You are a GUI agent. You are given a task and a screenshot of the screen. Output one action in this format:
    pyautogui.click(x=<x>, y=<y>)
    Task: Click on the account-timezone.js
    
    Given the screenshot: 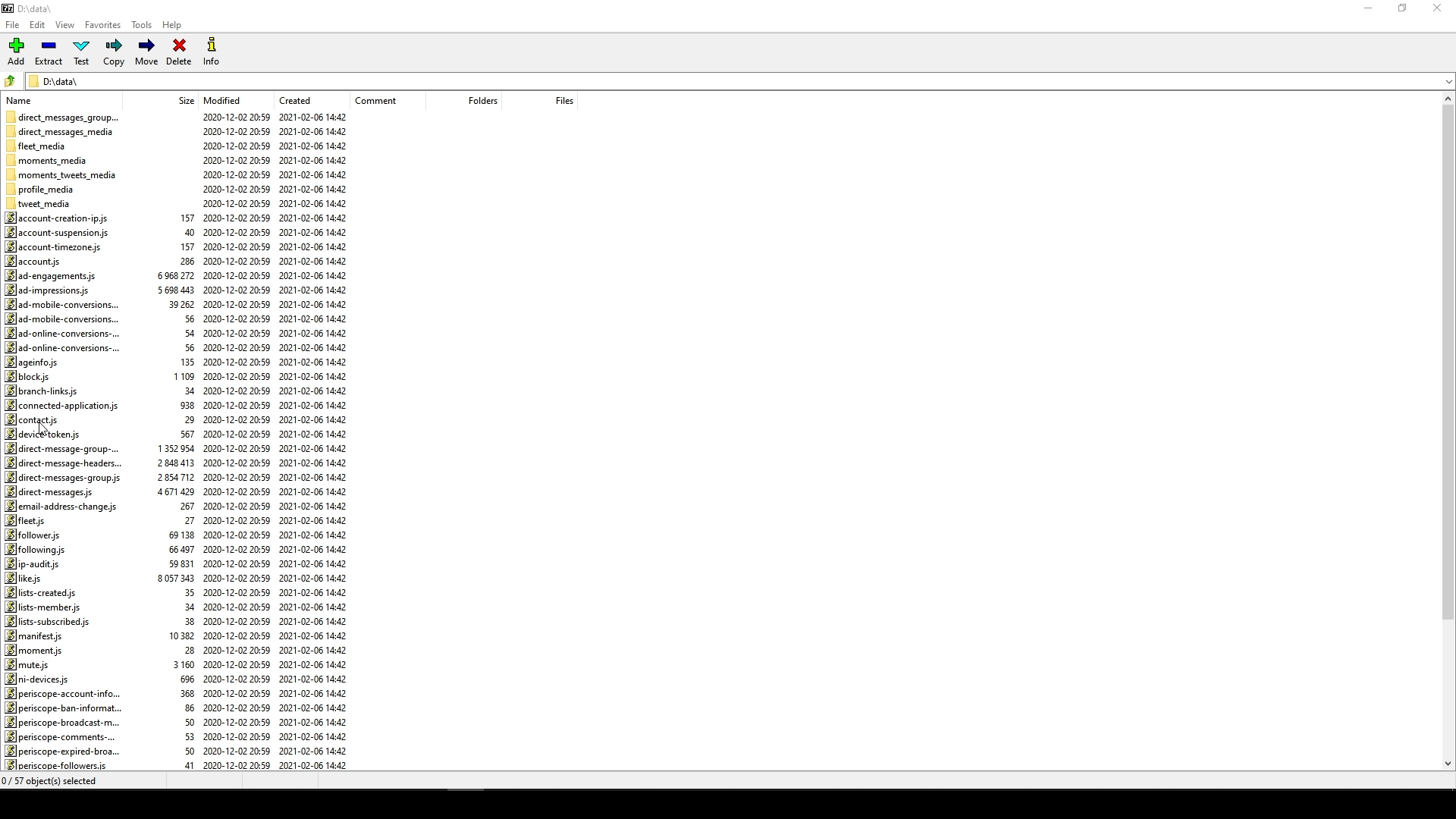 What is the action you would take?
    pyautogui.click(x=54, y=246)
    